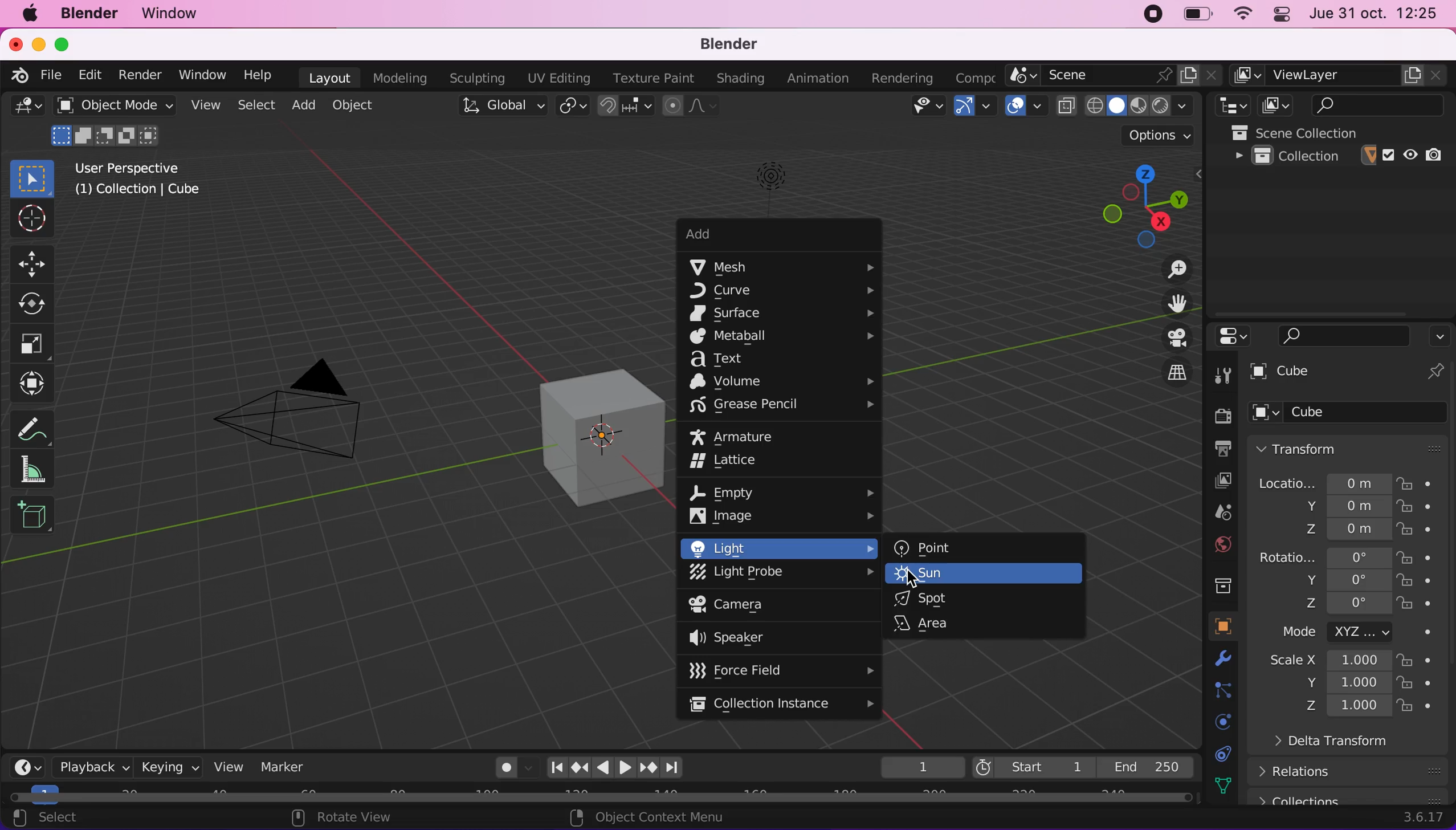  I want to click on close, so click(15, 45).